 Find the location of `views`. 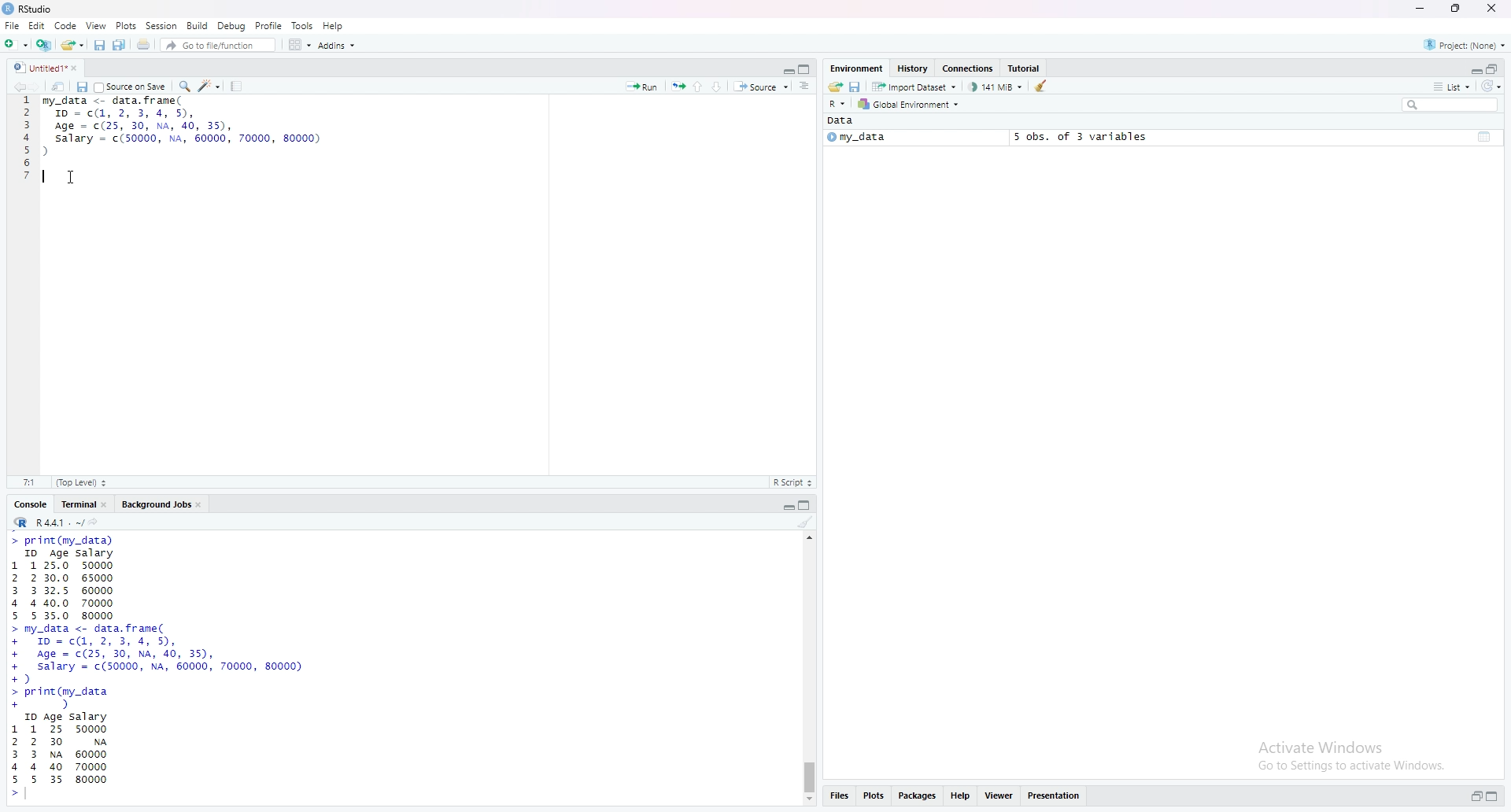

views is located at coordinates (1002, 795).